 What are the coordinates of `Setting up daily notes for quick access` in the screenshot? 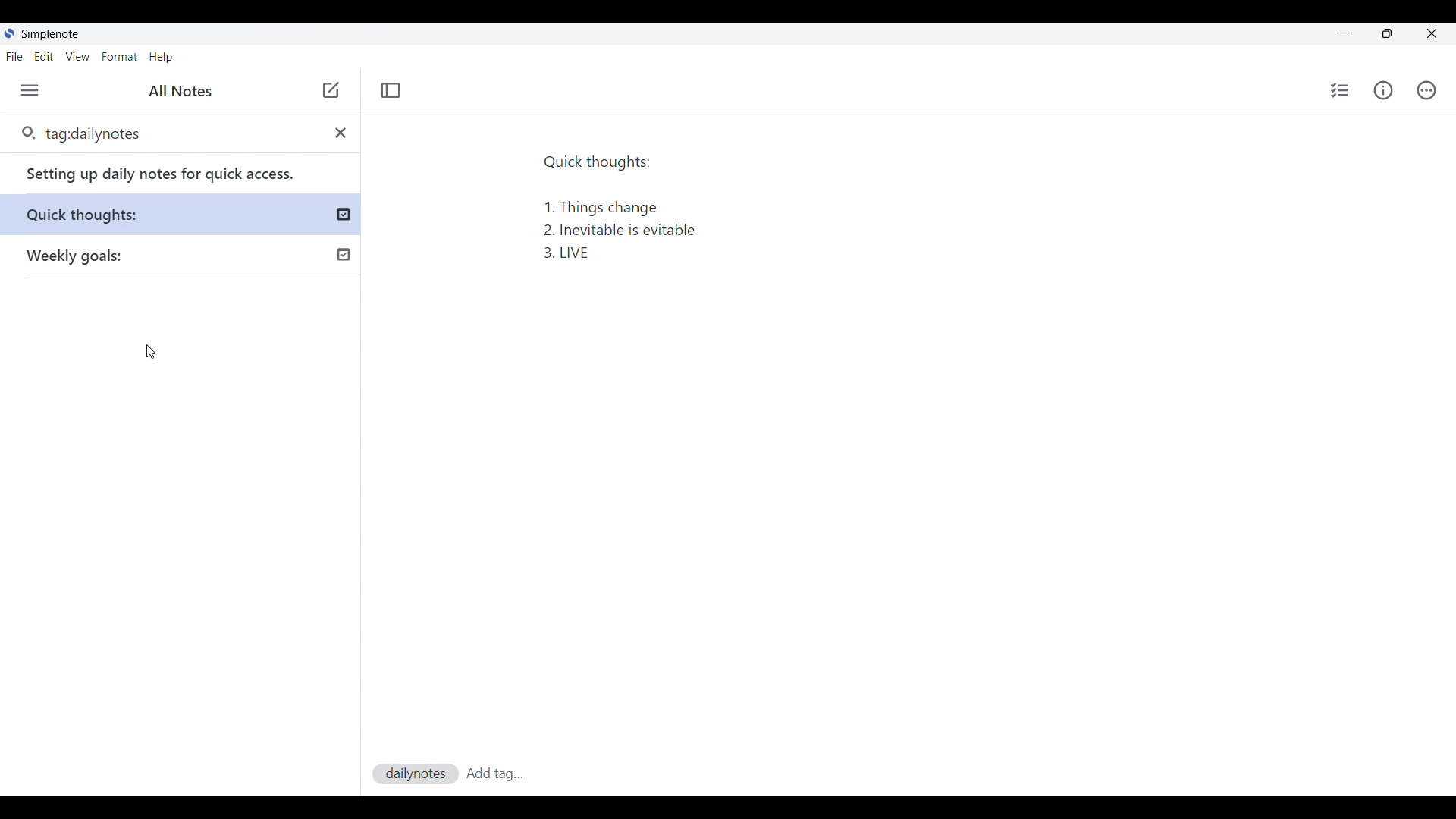 It's located at (172, 173).